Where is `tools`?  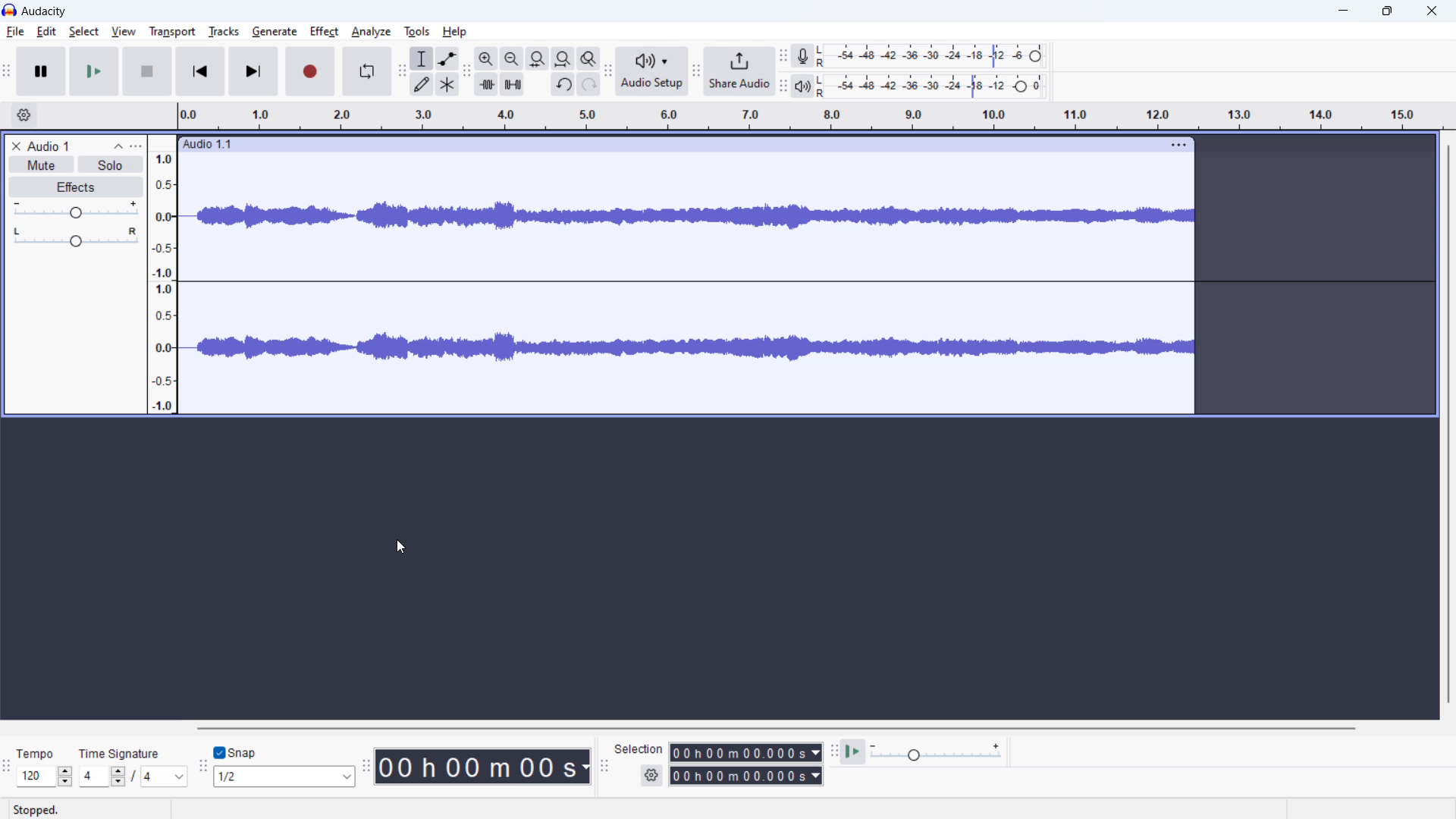
tools is located at coordinates (416, 31).